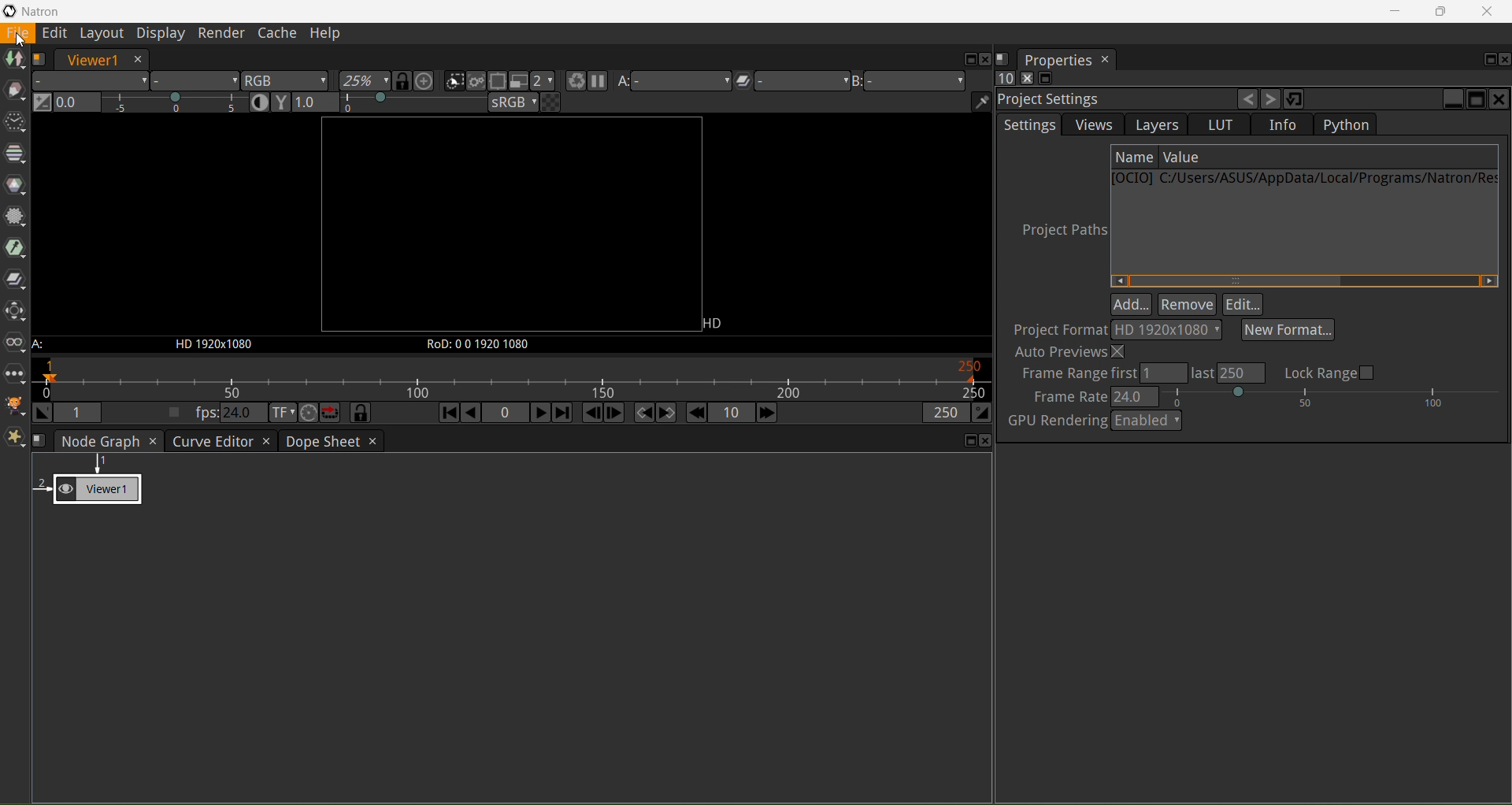 This screenshot has width=1512, height=805. What do you see at coordinates (212, 441) in the screenshot?
I see `Curve Editor` at bounding box center [212, 441].